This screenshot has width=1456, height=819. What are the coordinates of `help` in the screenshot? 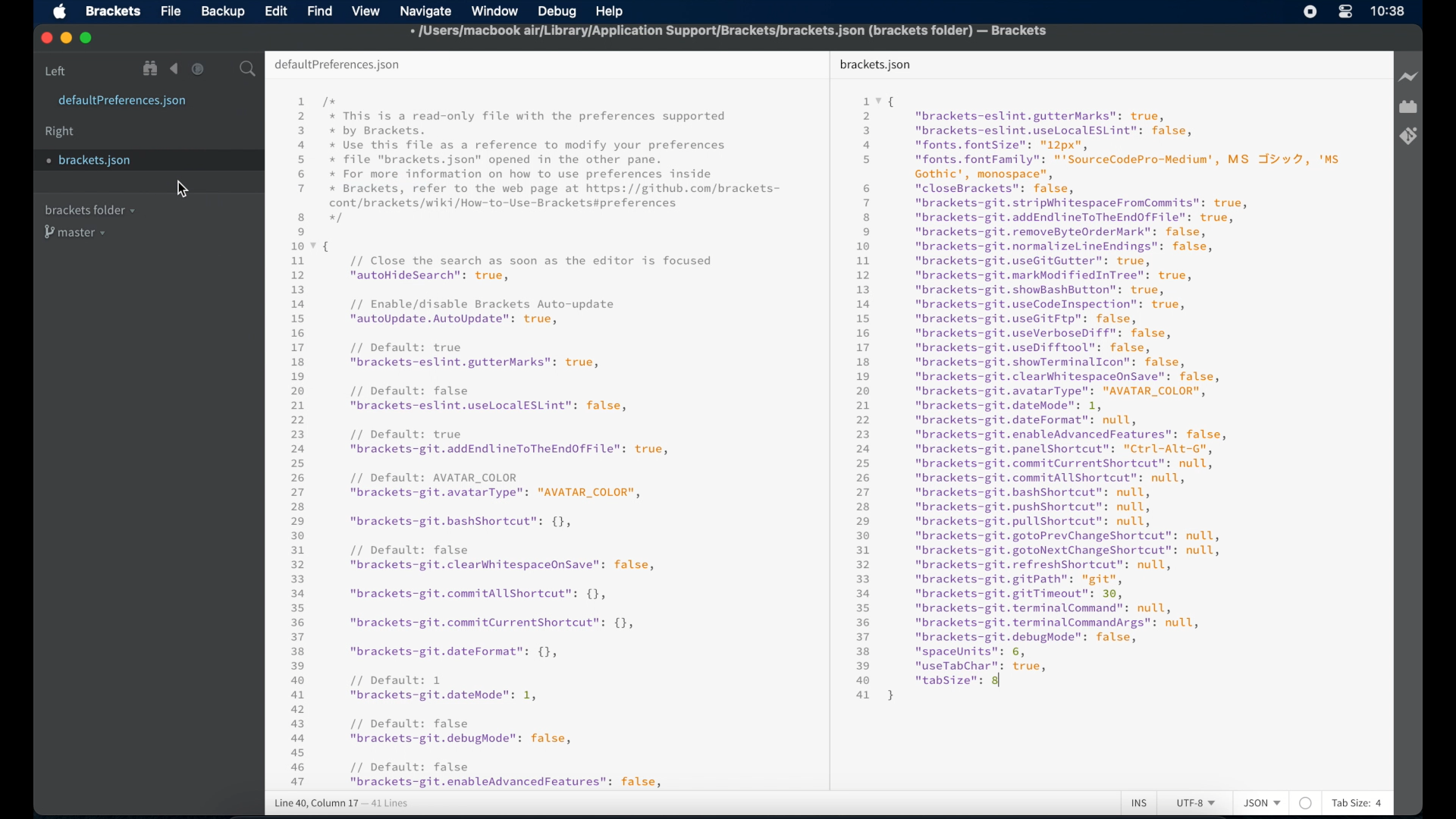 It's located at (610, 13).